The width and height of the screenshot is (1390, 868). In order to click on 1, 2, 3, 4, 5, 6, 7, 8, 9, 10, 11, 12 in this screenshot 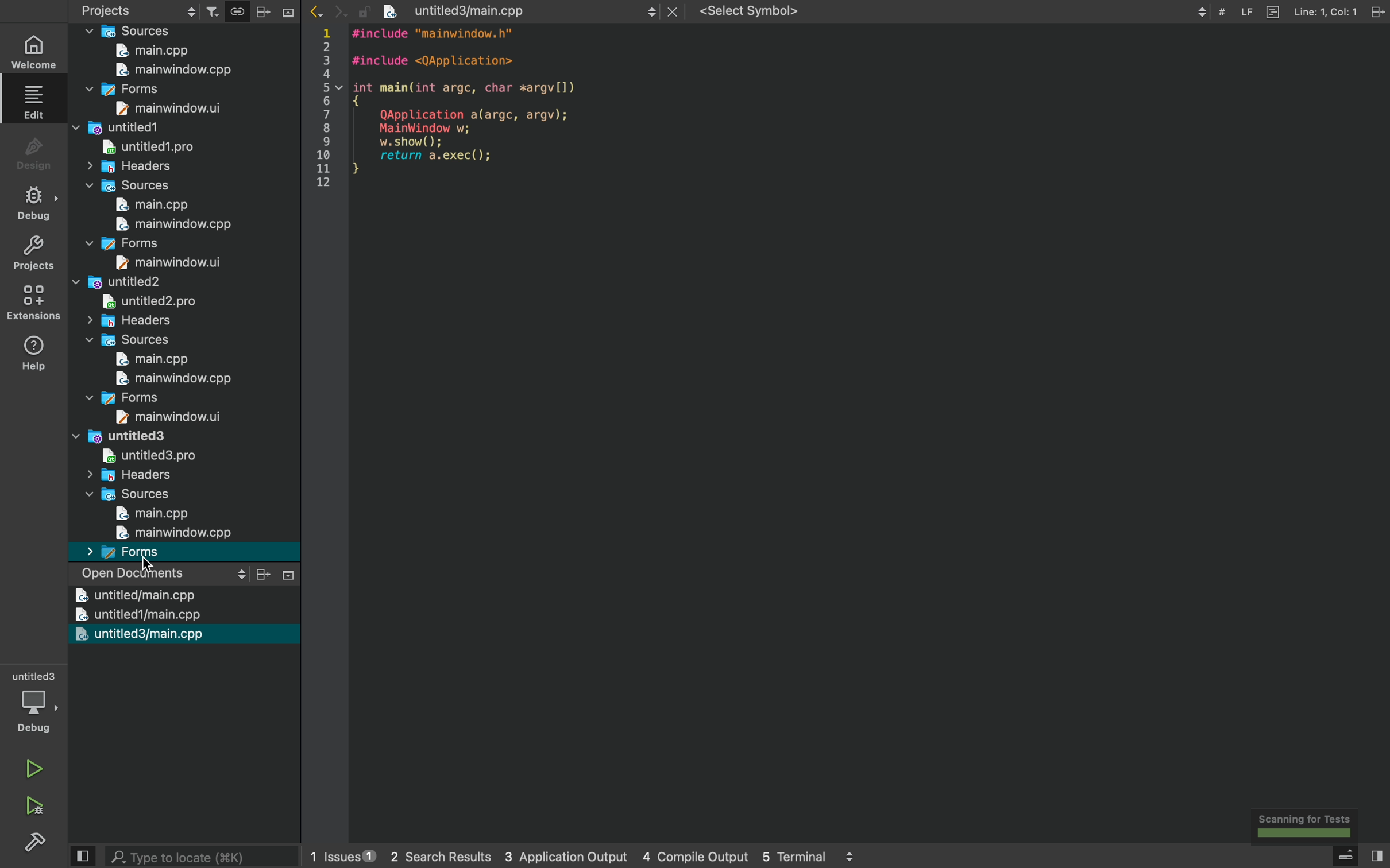, I will do `click(325, 110)`.